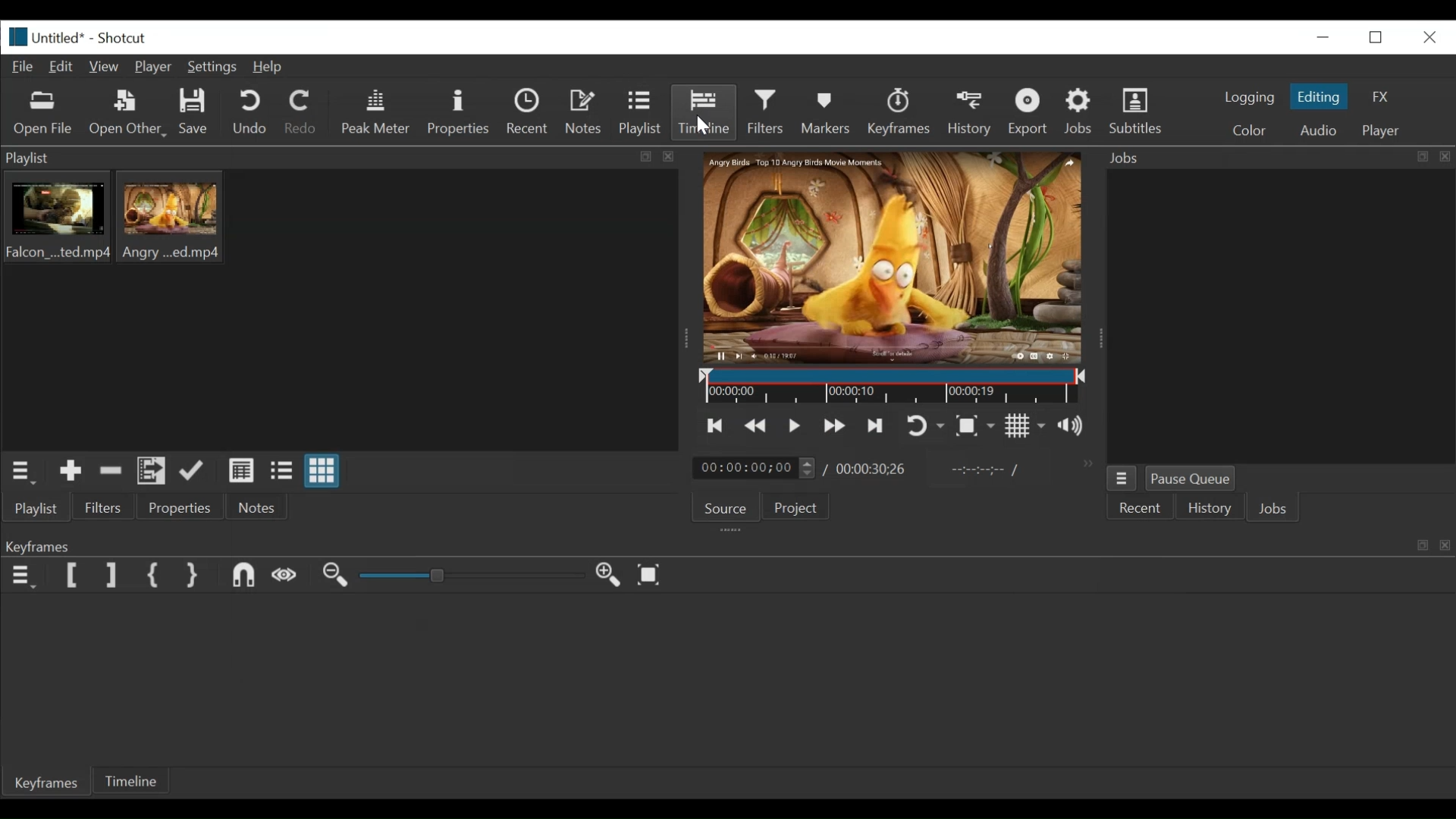 The width and height of the screenshot is (1456, 819). Describe the element at coordinates (1191, 482) in the screenshot. I see `Pause Queue` at that location.